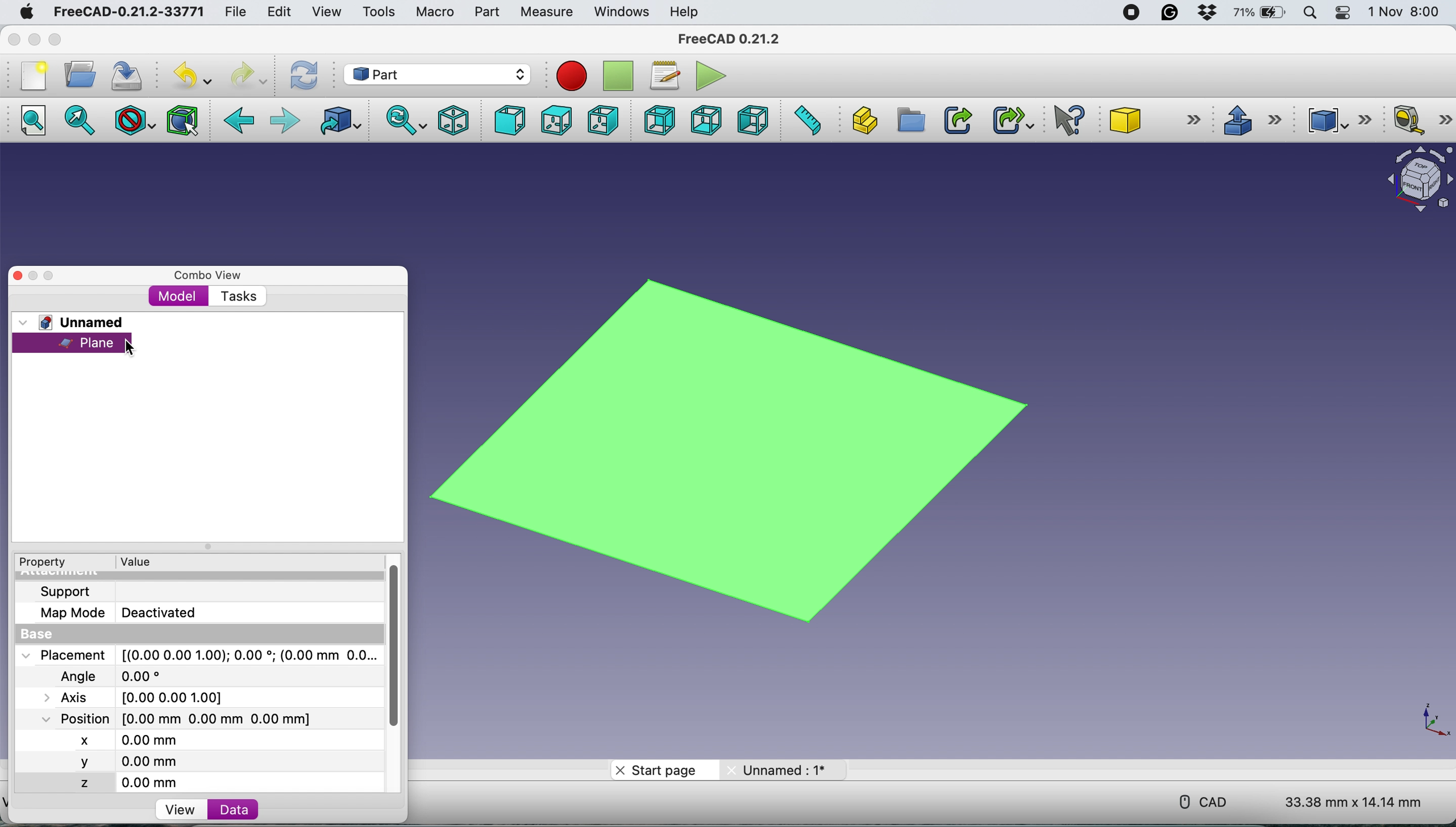 This screenshot has height=827, width=1456. What do you see at coordinates (115, 614) in the screenshot?
I see `Map Mode Deactivated` at bounding box center [115, 614].